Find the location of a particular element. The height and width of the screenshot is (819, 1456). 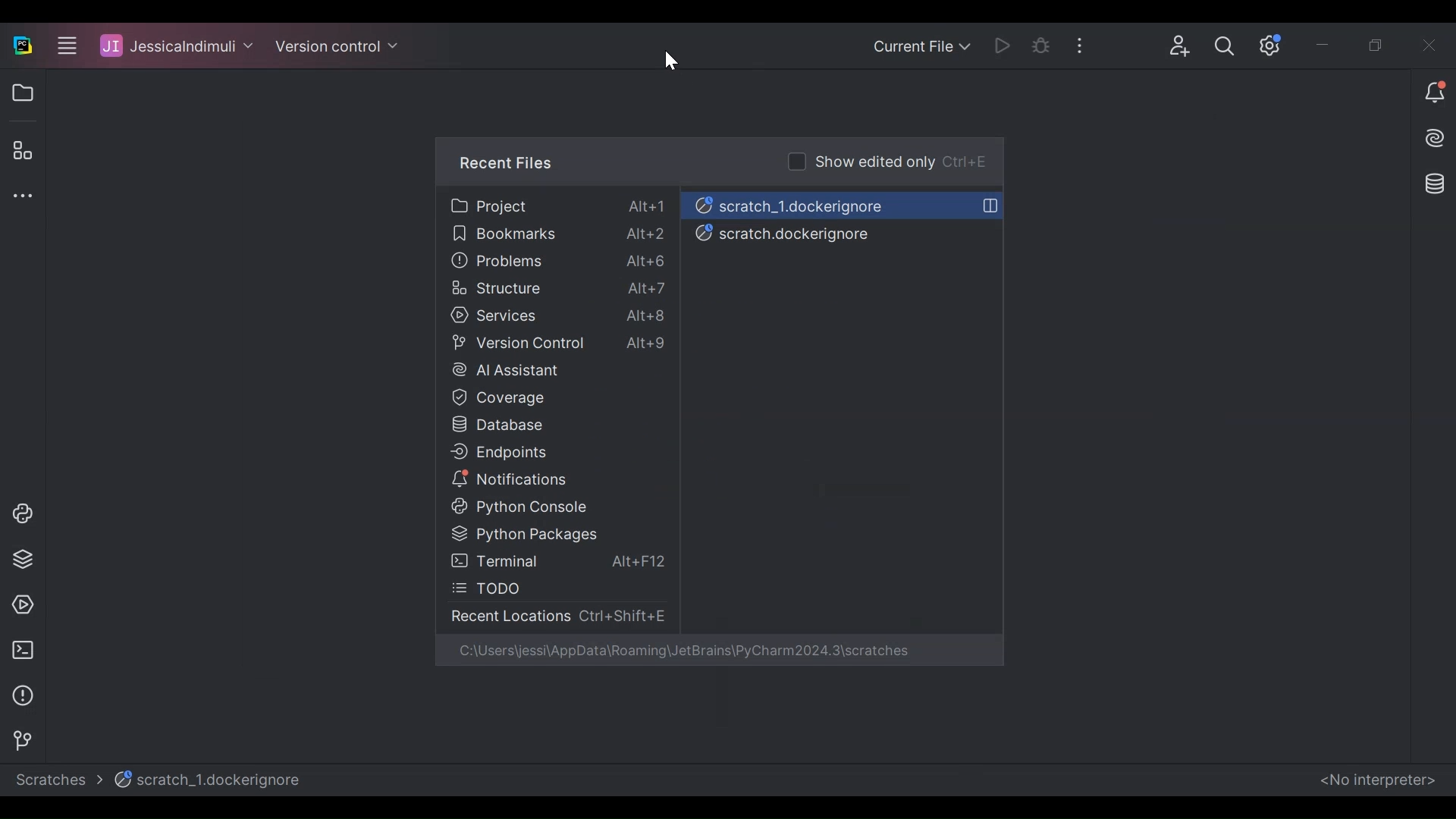

TODO is located at coordinates (548, 588).